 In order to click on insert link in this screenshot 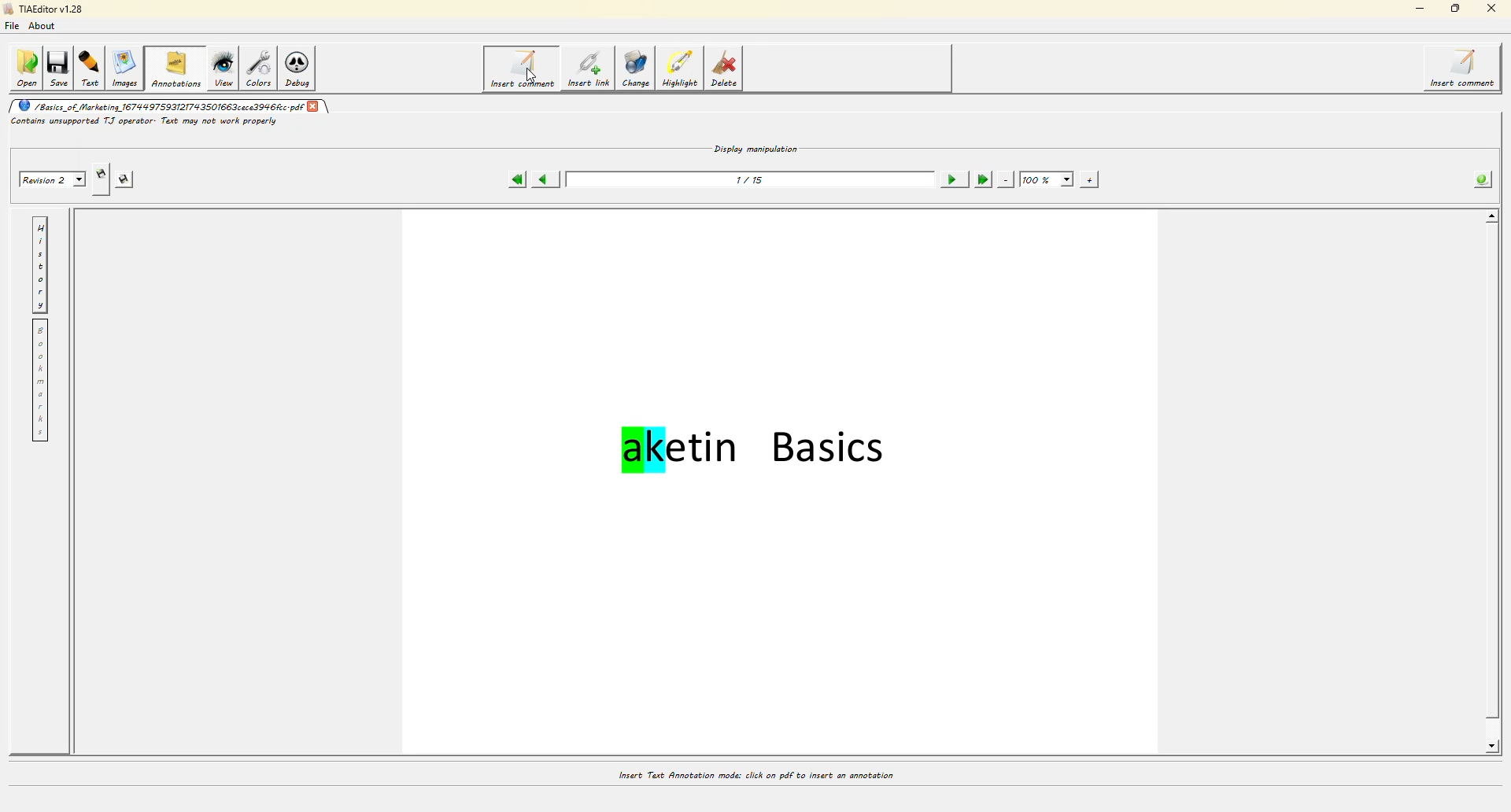, I will do `click(588, 71)`.